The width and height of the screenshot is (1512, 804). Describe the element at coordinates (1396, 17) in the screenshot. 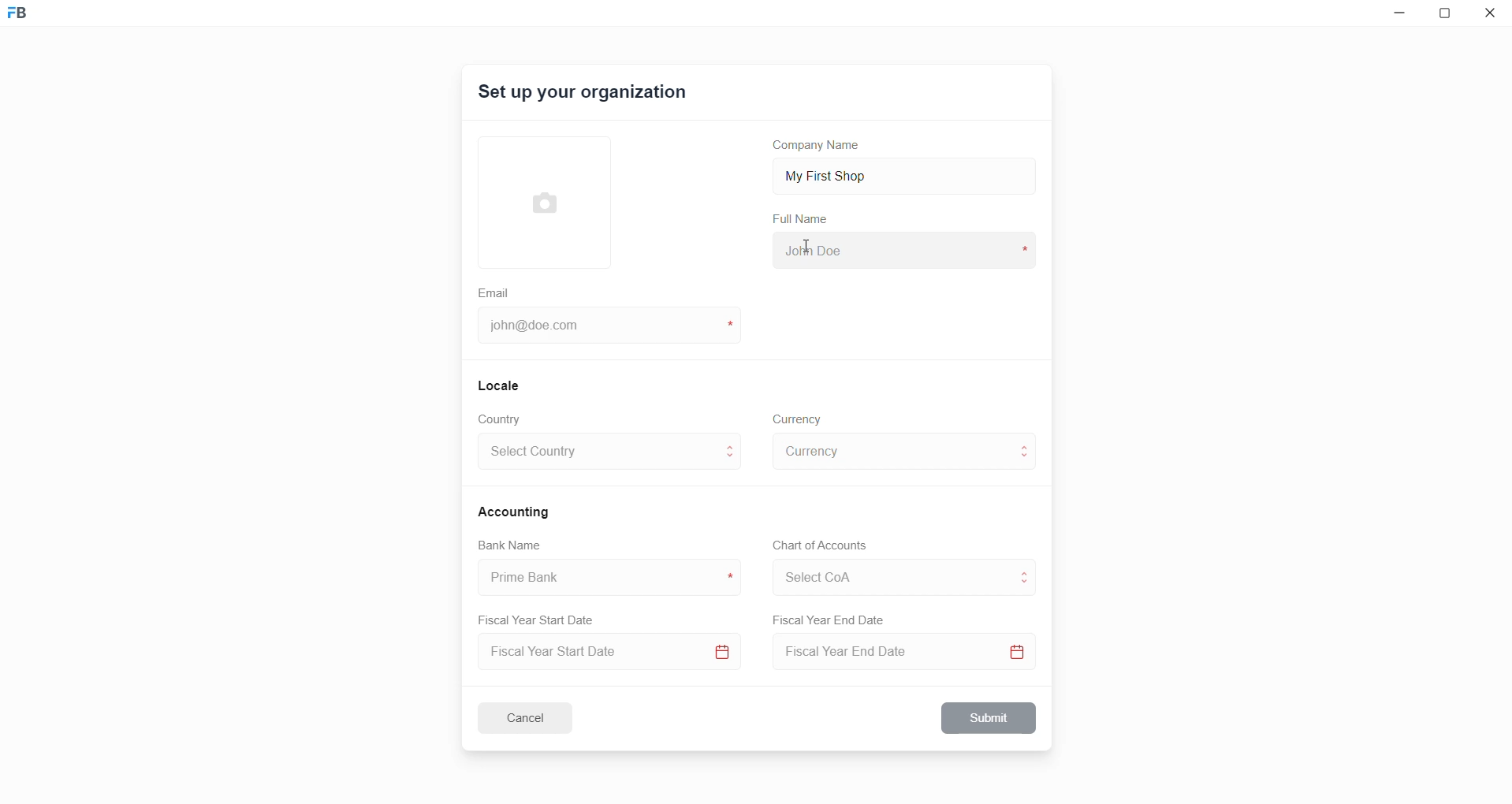

I see `minimize` at that location.